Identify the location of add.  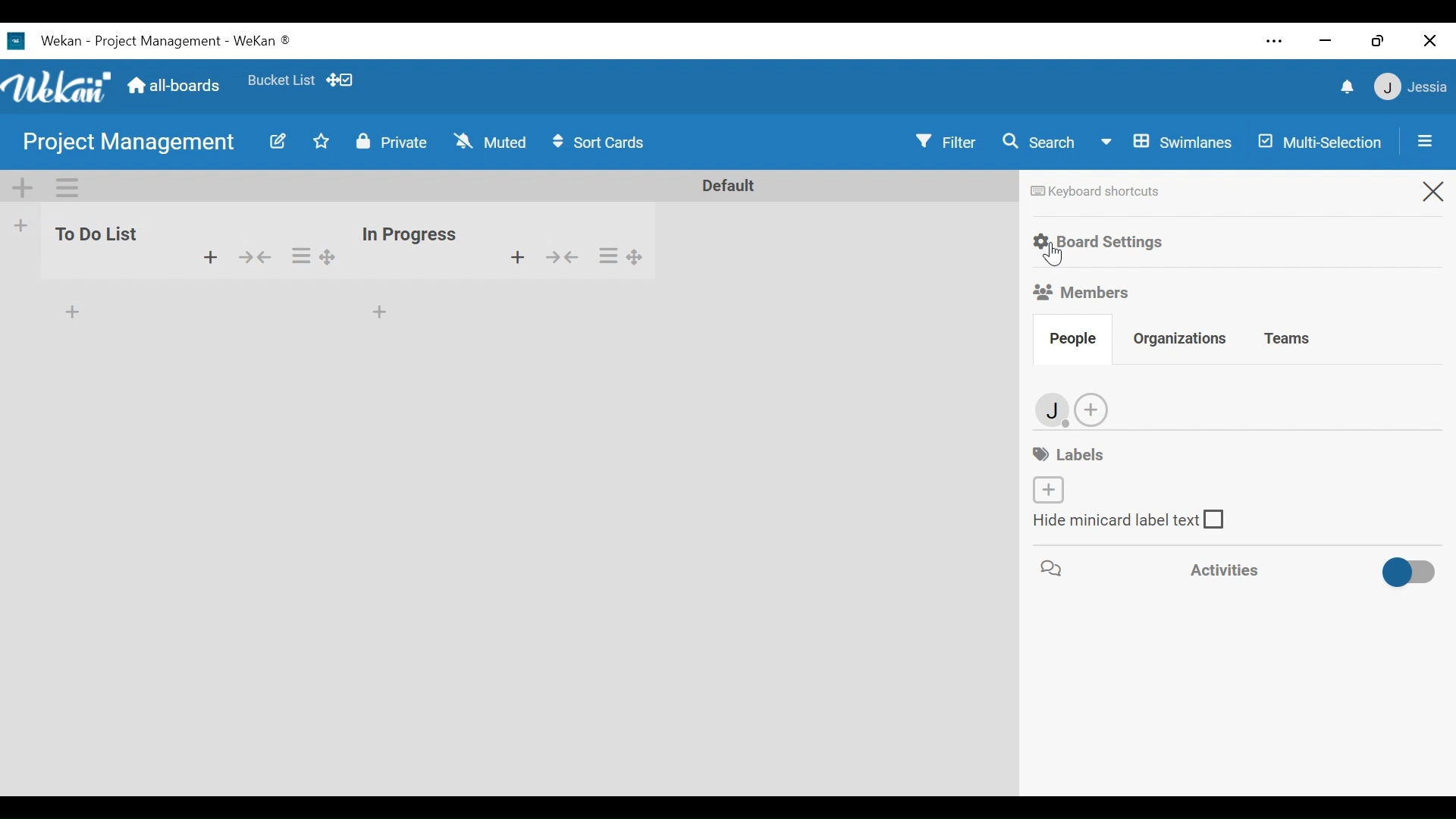
(379, 316).